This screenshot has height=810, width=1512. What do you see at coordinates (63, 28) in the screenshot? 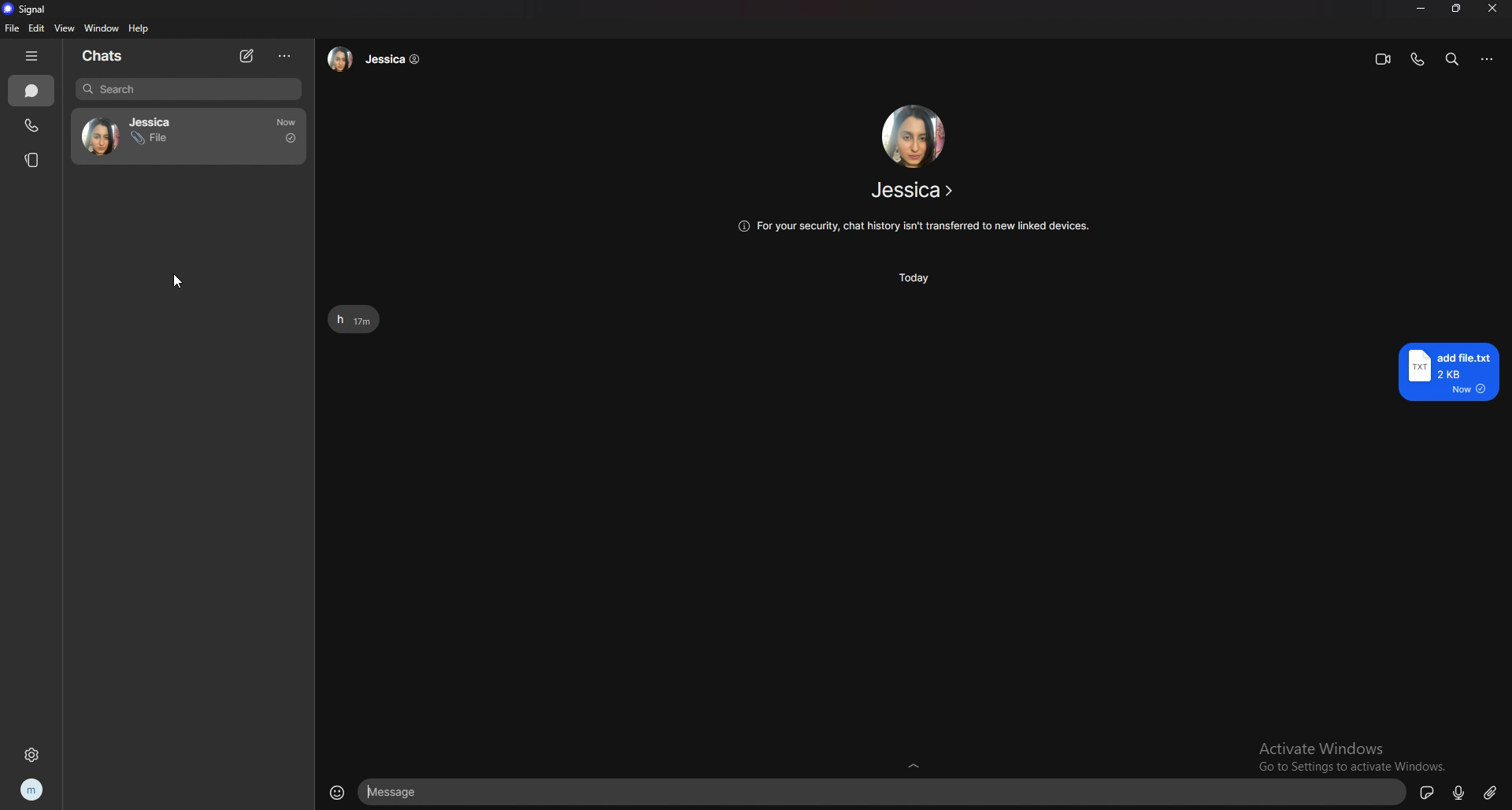
I see `view` at bounding box center [63, 28].